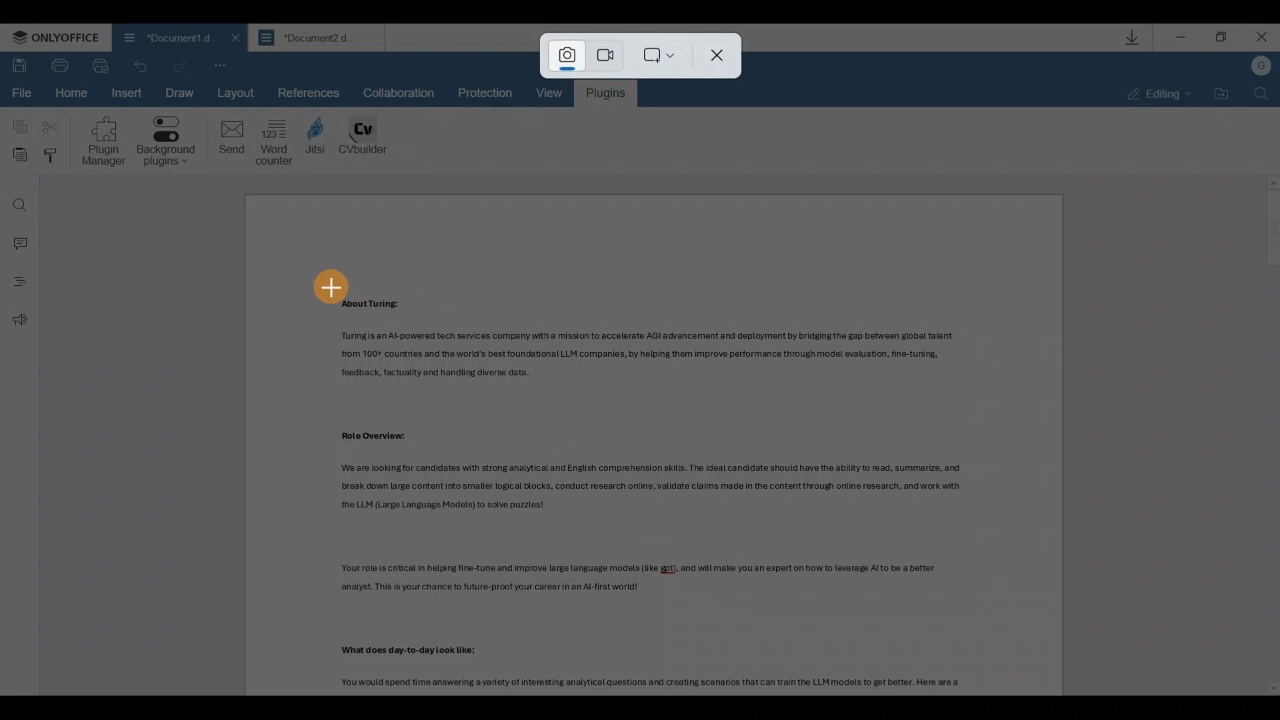  What do you see at coordinates (318, 139) in the screenshot?
I see `Jitsi` at bounding box center [318, 139].